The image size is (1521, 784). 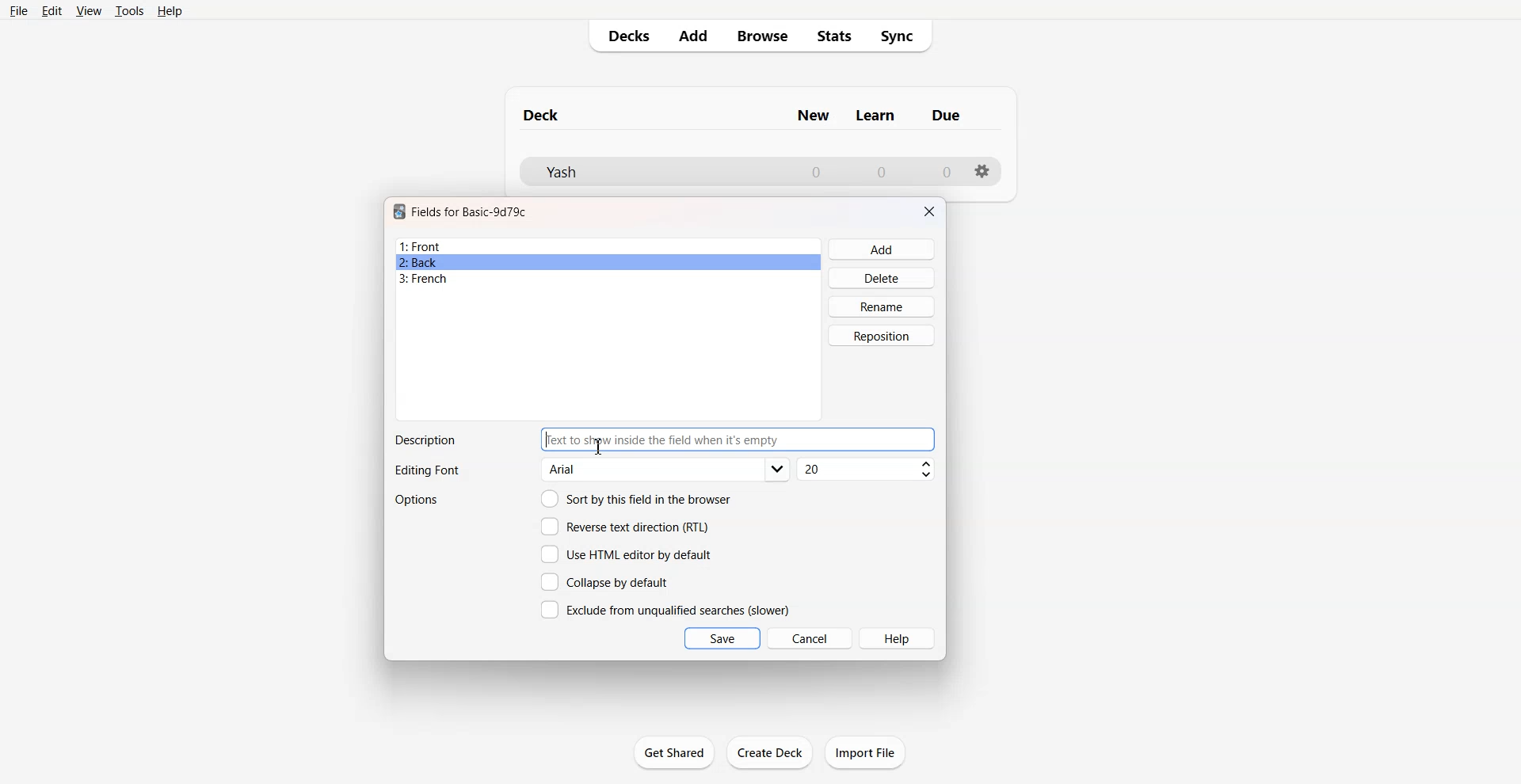 What do you see at coordinates (816, 172) in the screenshot?
I see `Number of New cards` at bounding box center [816, 172].